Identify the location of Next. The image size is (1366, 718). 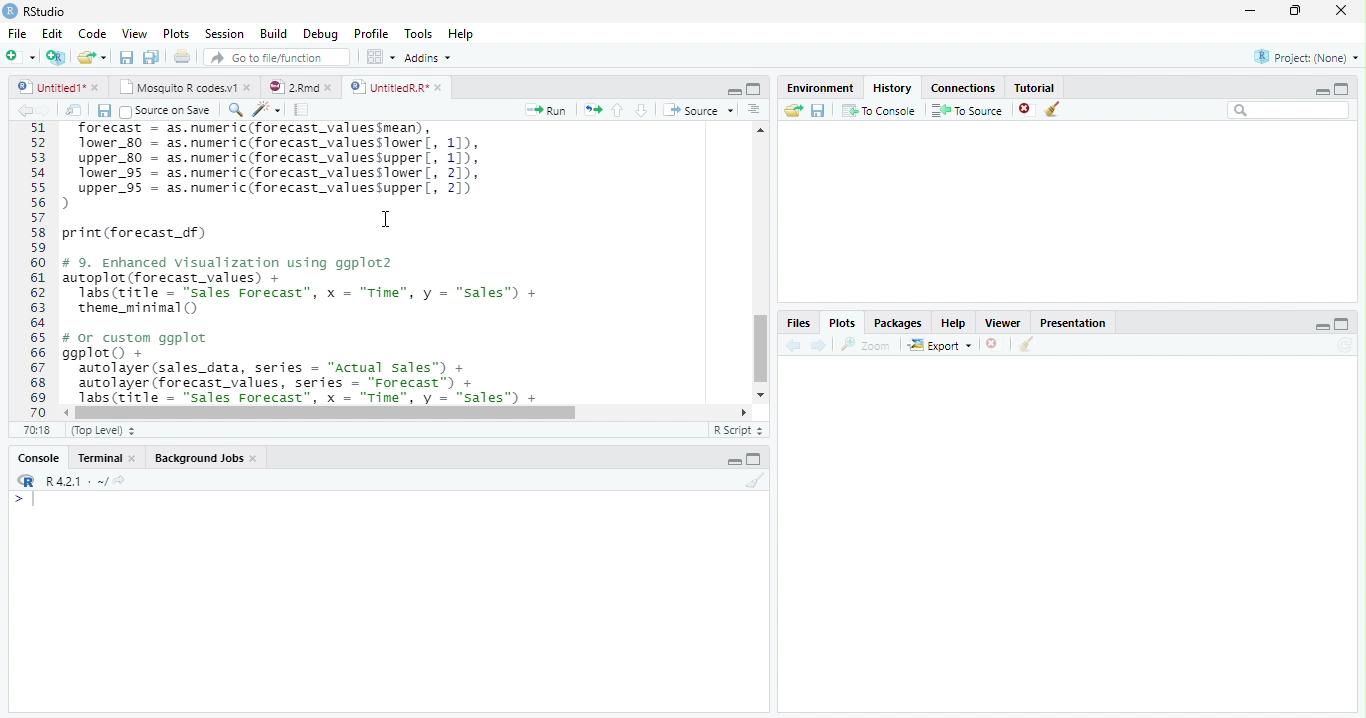
(821, 346).